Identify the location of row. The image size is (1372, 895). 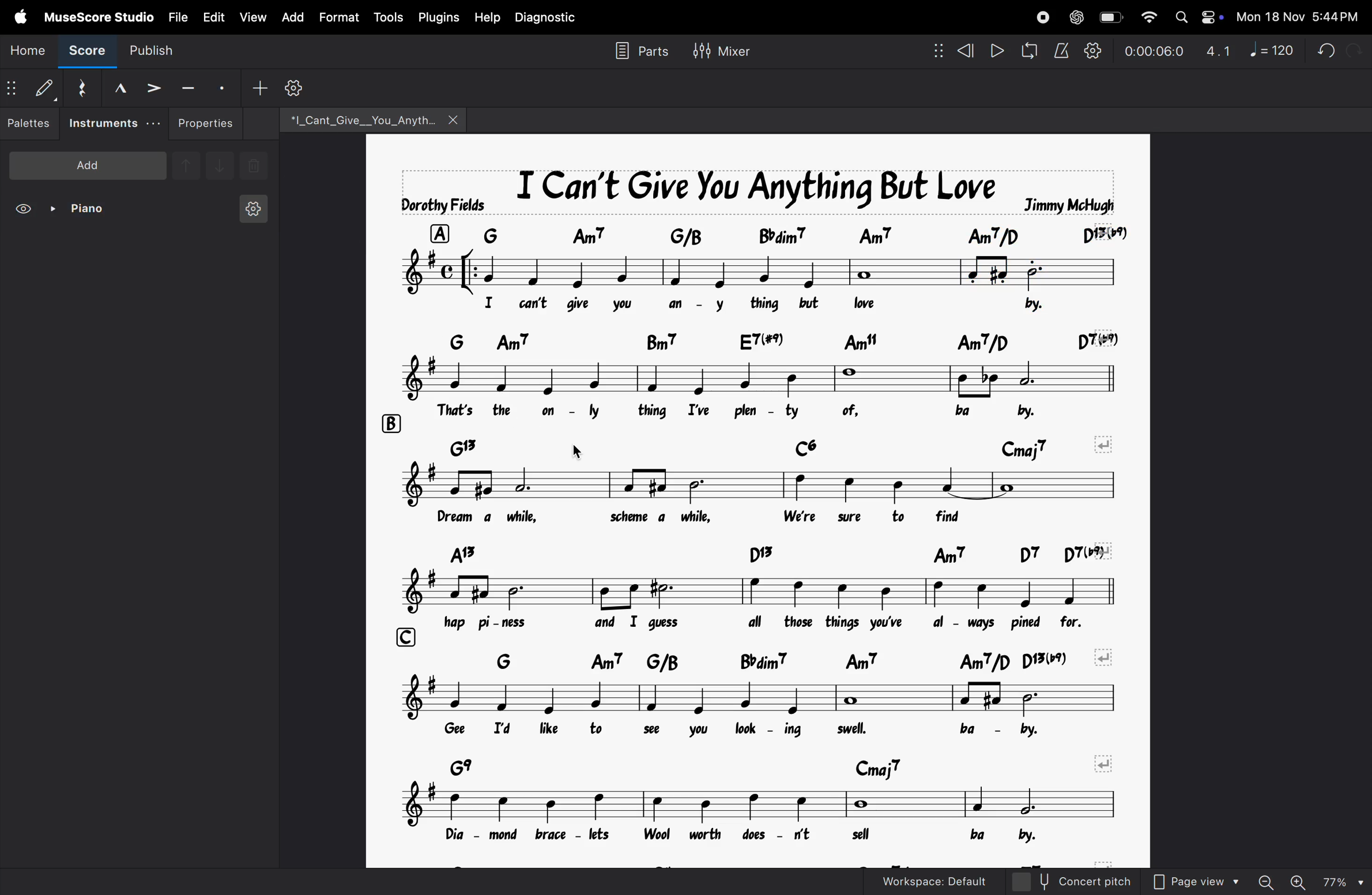
(455, 341).